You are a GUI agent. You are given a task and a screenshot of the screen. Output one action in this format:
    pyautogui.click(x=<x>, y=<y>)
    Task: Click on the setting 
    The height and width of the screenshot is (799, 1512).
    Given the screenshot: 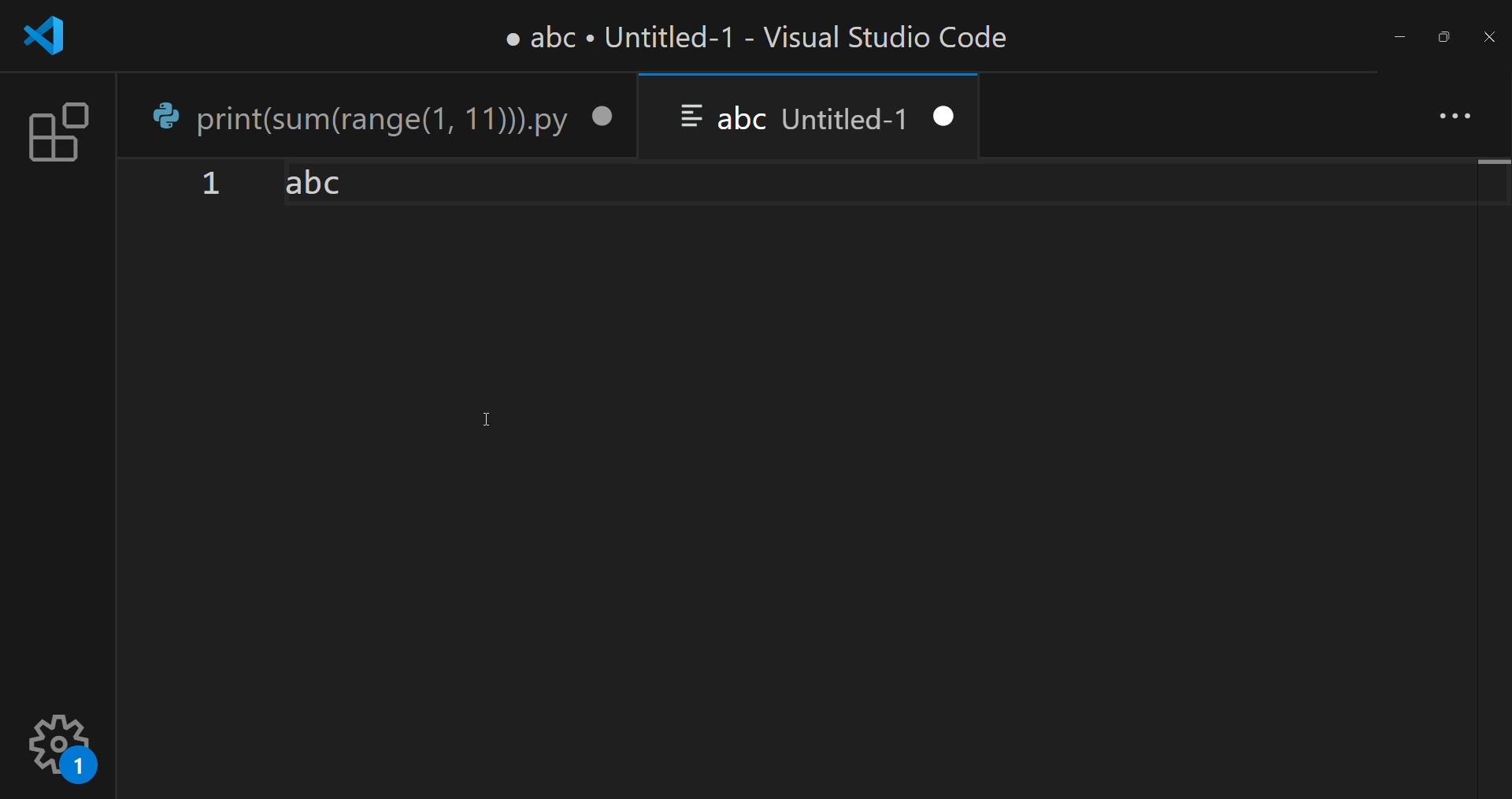 What is the action you would take?
    pyautogui.click(x=61, y=743)
    